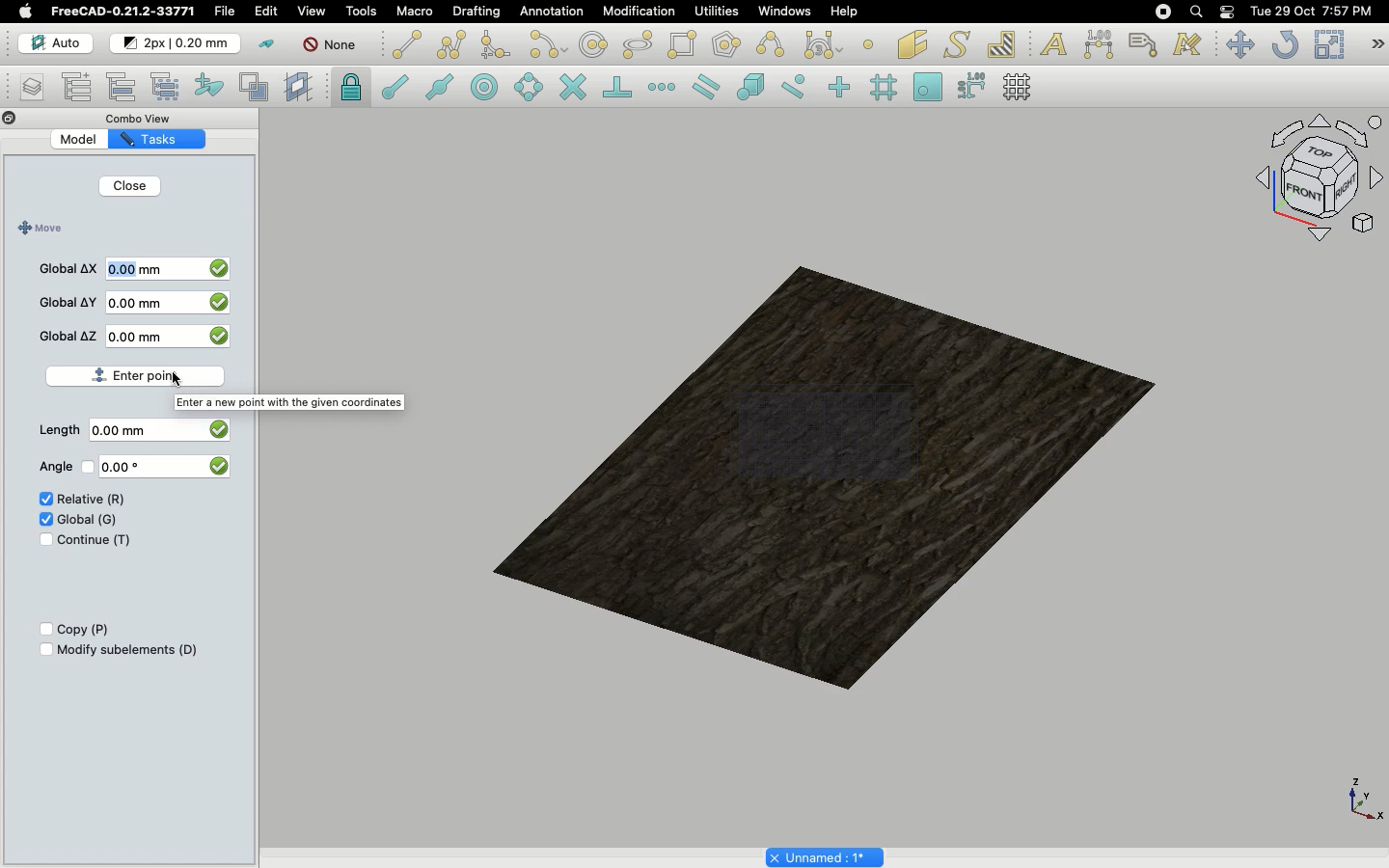 The width and height of the screenshot is (1389, 868). Describe the element at coordinates (789, 14) in the screenshot. I see `Windows` at that location.